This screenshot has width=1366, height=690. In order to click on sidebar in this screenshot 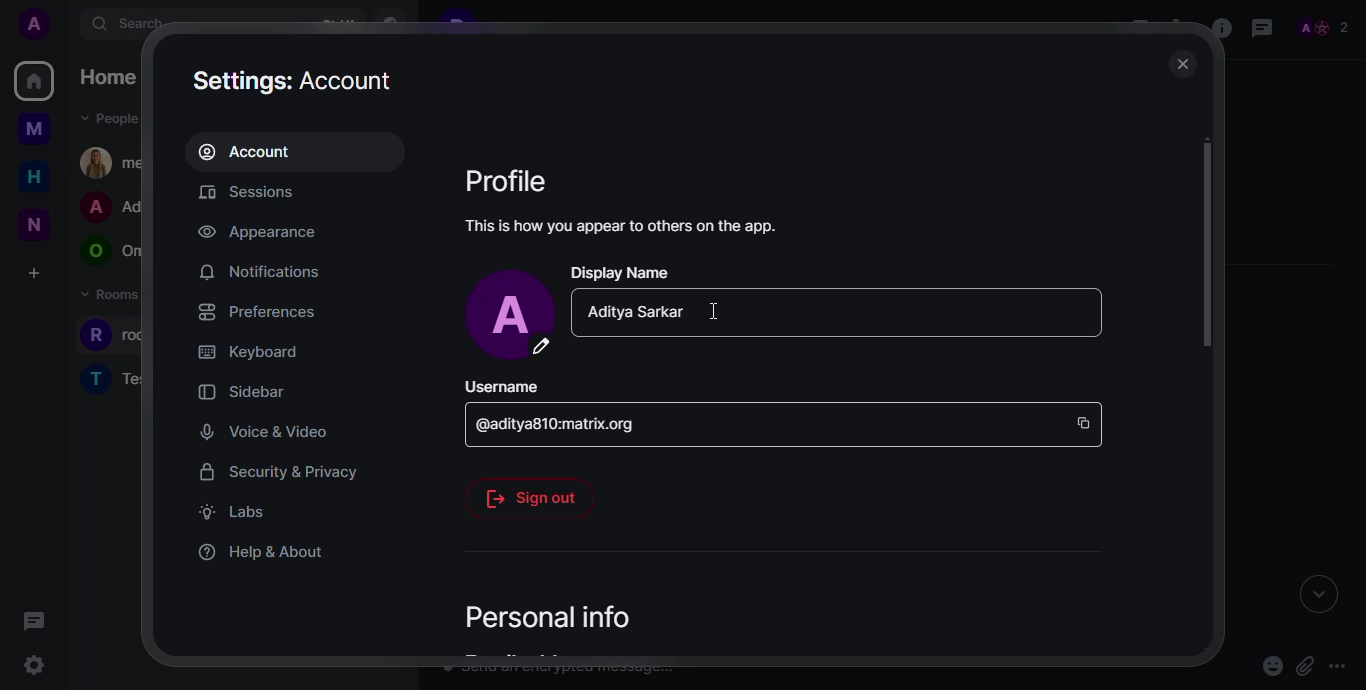, I will do `click(240, 391)`.